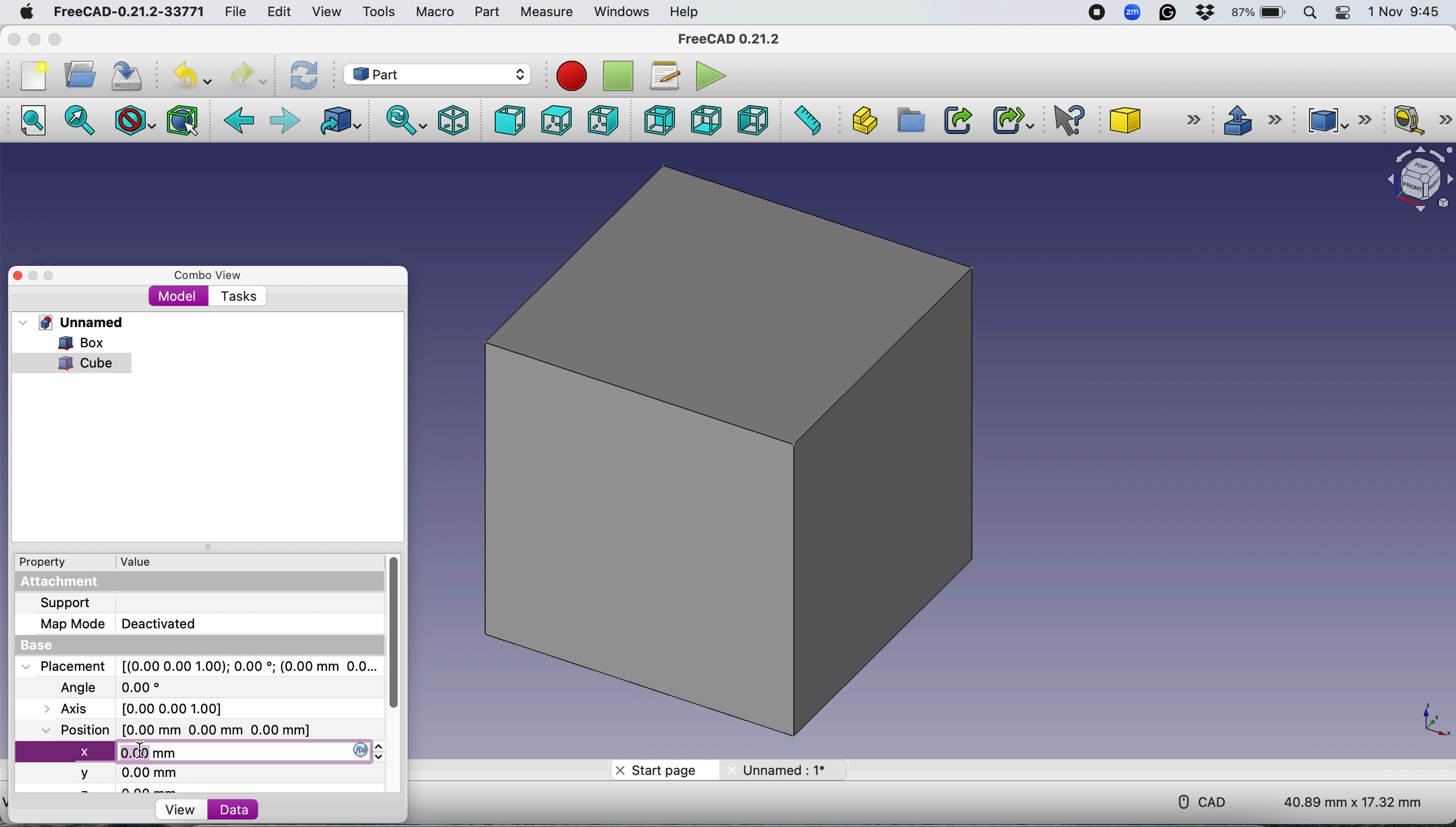  What do you see at coordinates (1251, 119) in the screenshot?
I see `Extrude` at bounding box center [1251, 119].